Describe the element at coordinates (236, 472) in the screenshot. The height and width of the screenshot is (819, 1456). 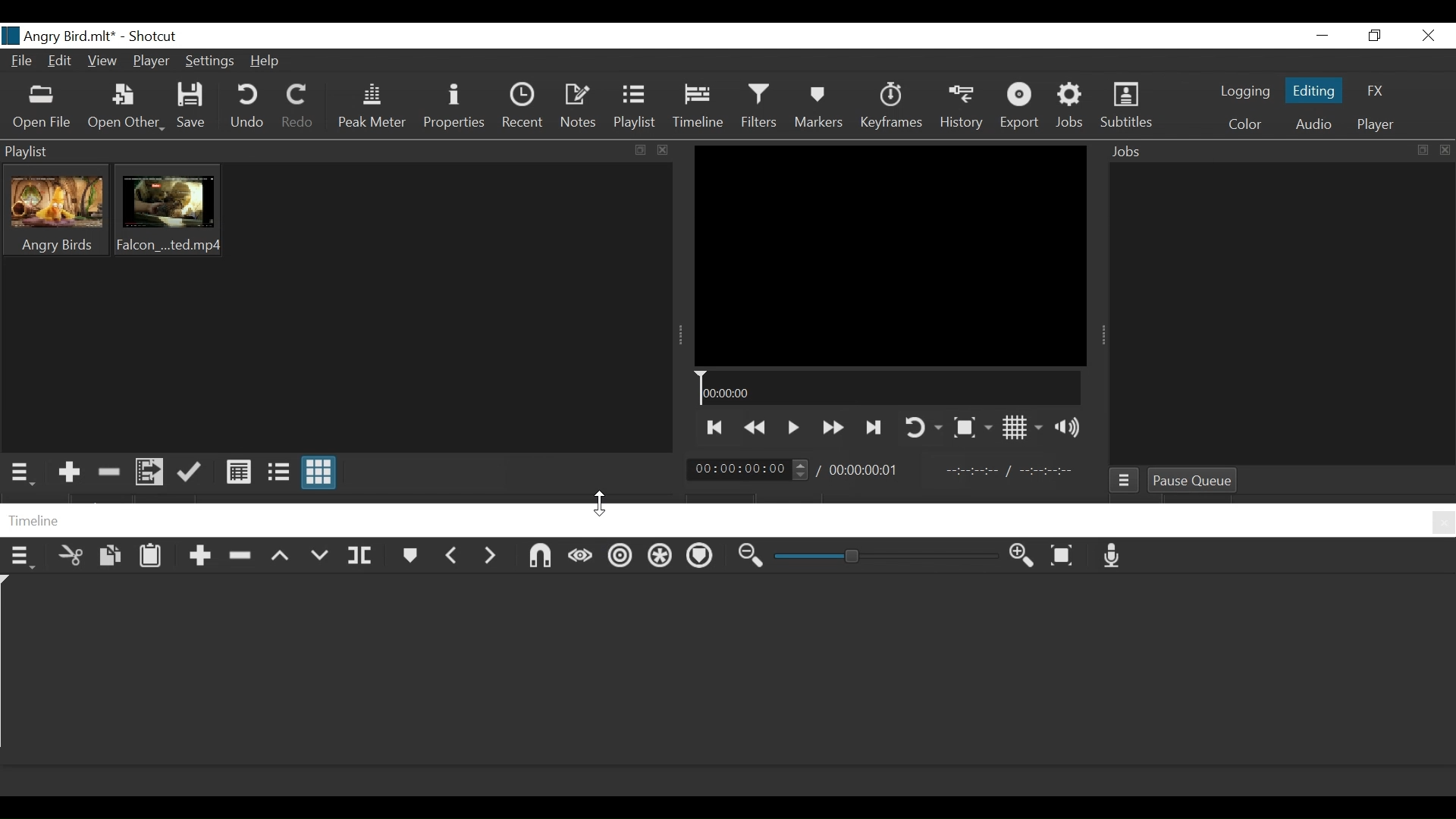
I see `View as Detail` at that location.